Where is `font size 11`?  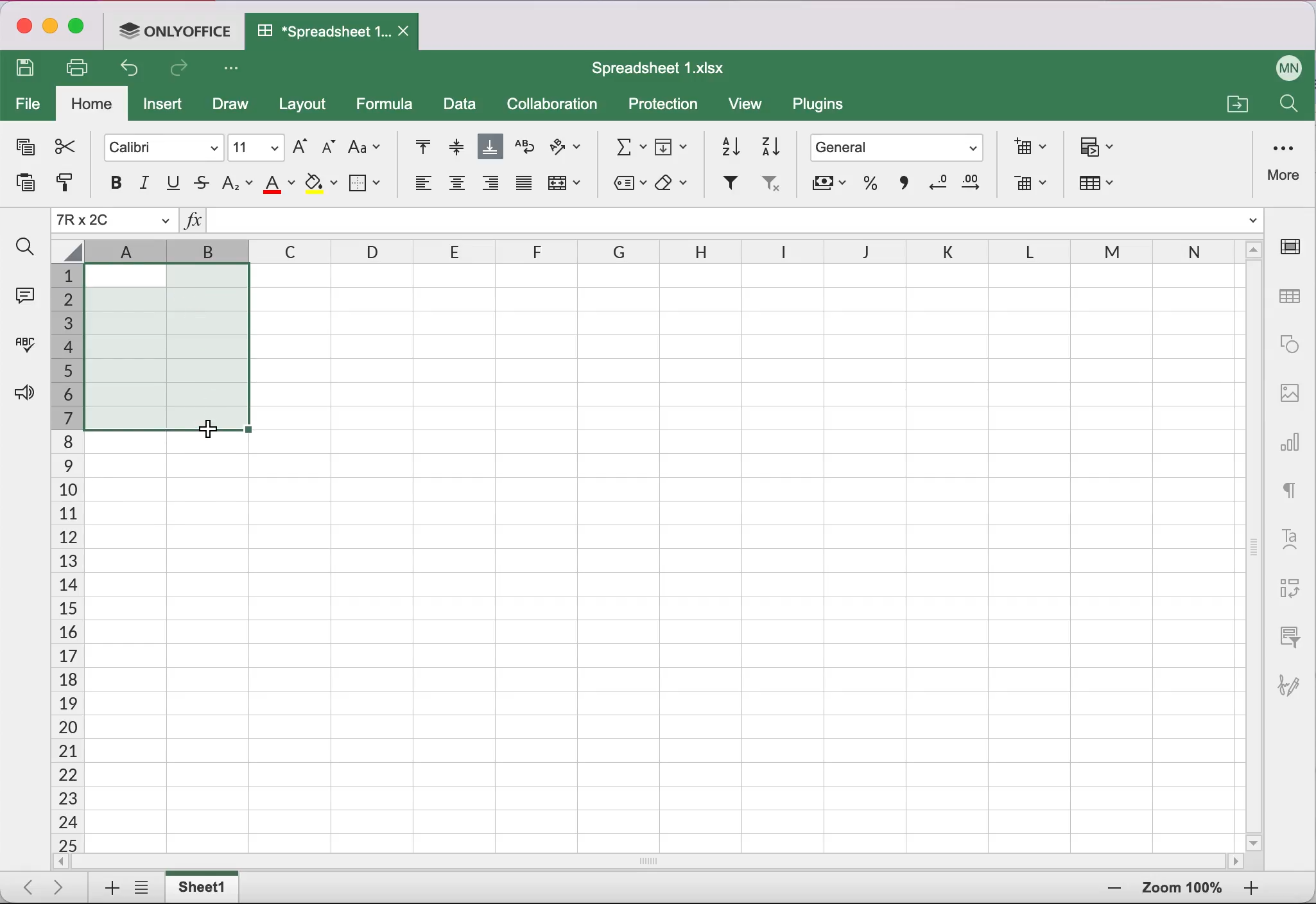
font size 11 is located at coordinates (257, 146).